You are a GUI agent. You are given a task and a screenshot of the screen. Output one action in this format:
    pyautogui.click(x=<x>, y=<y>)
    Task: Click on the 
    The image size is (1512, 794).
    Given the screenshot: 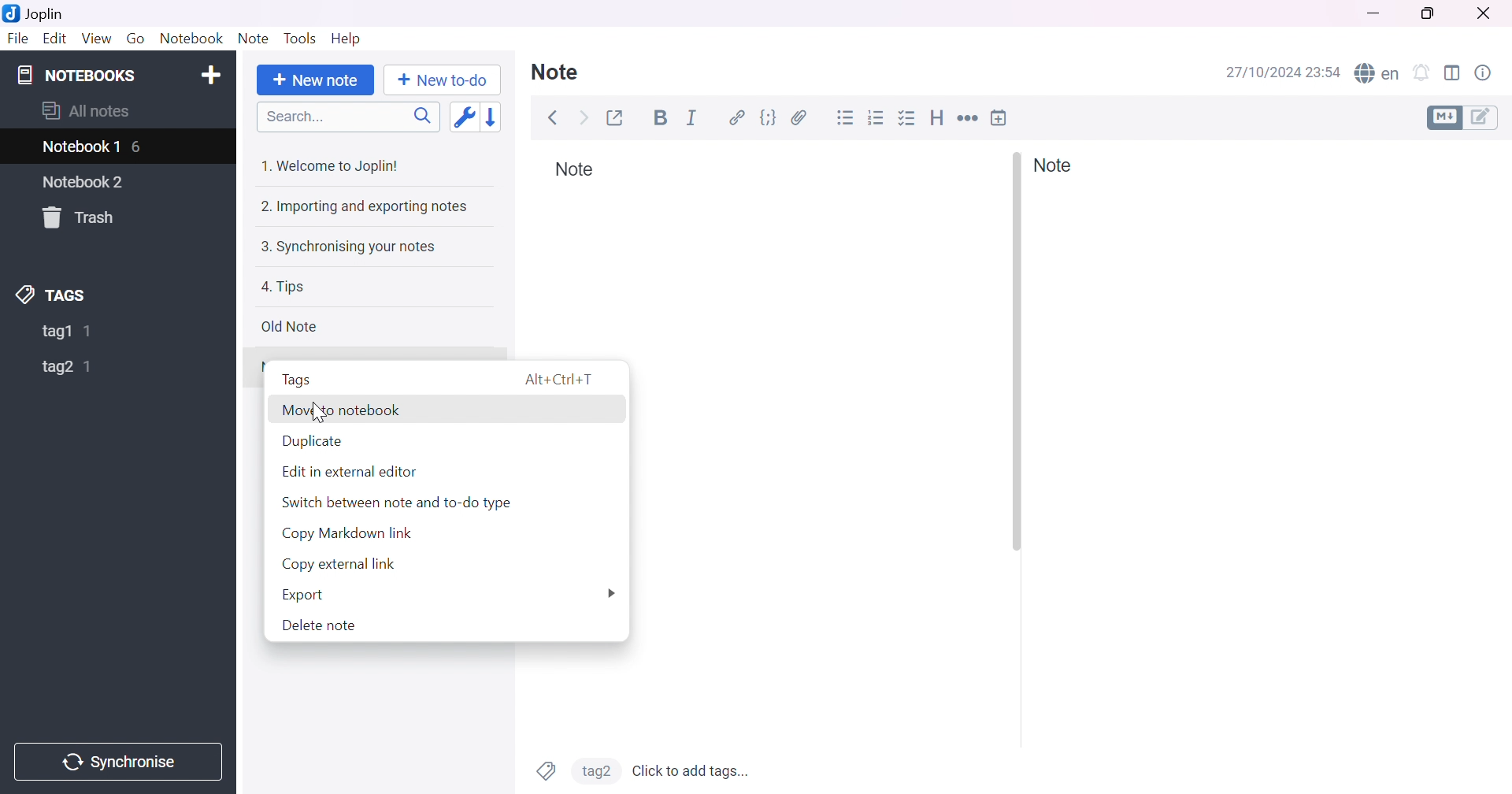 What is the action you would take?
    pyautogui.click(x=321, y=412)
    